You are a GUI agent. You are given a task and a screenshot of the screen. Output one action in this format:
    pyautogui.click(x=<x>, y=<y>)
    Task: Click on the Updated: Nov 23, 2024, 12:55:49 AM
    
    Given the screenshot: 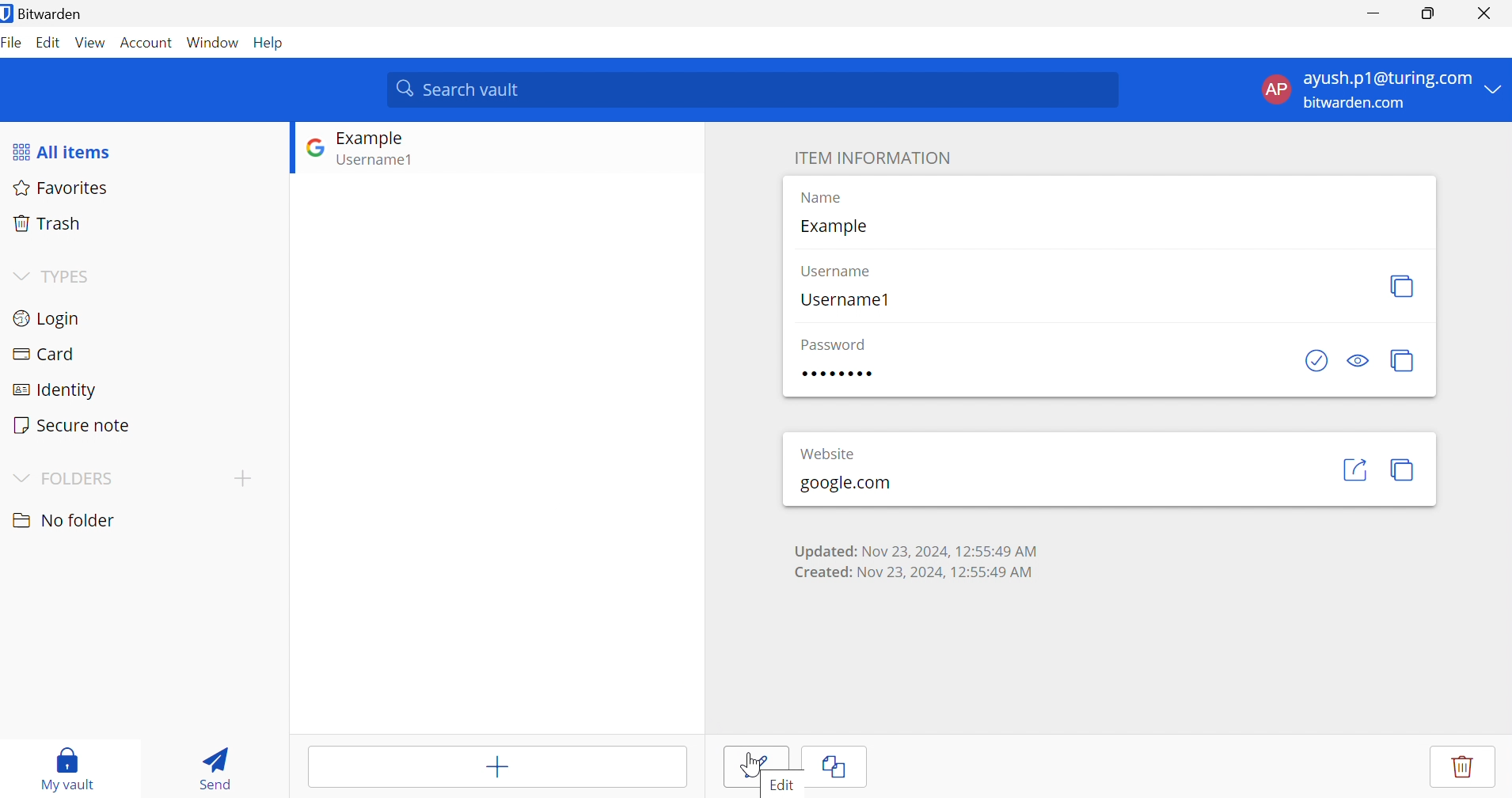 What is the action you would take?
    pyautogui.click(x=914, y=549)
    